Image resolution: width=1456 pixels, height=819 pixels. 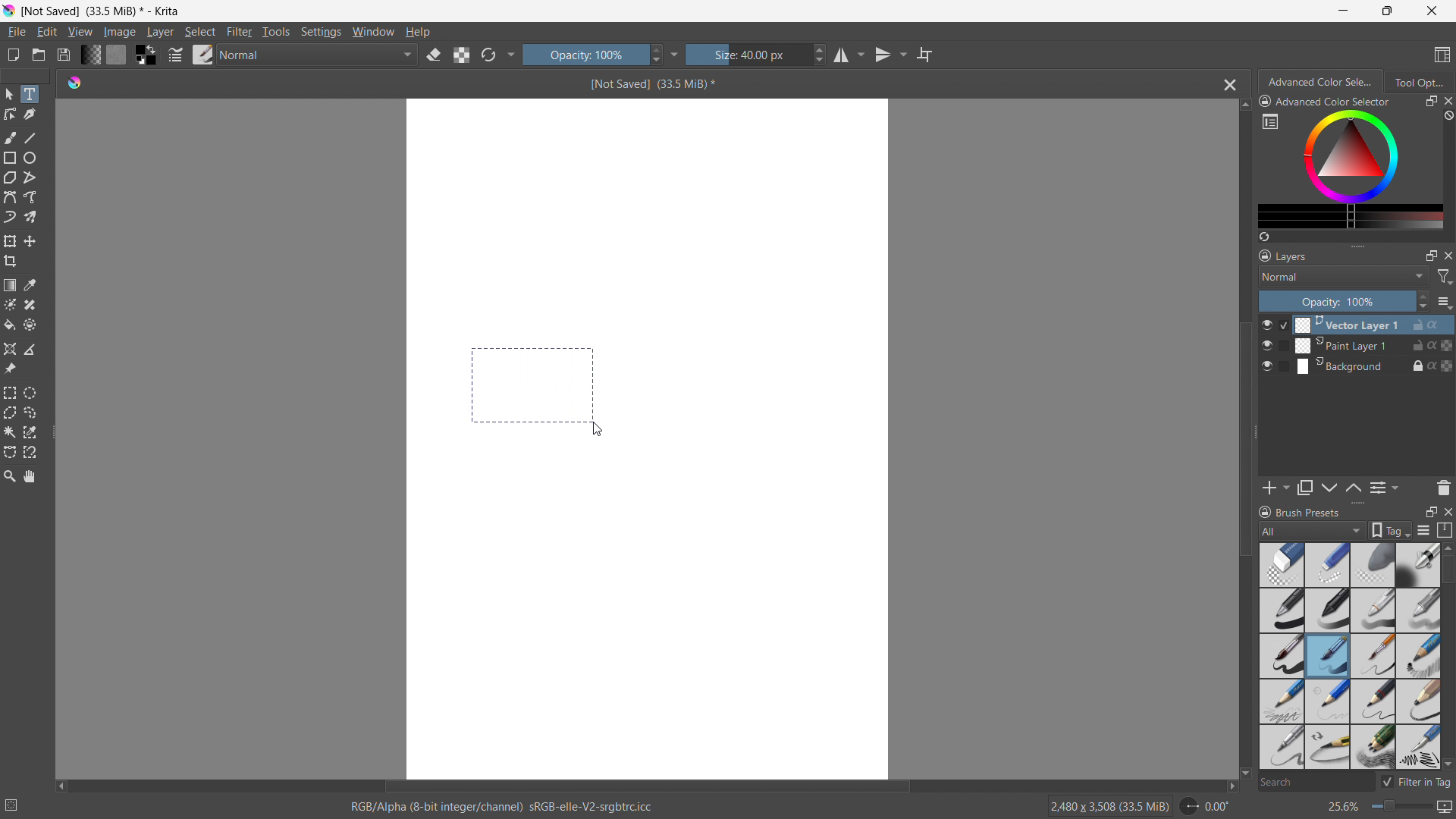 What do you see at coordinates (1417, 747) in the screenshot?
I see `pencil` at bounding box center [1417, 747].